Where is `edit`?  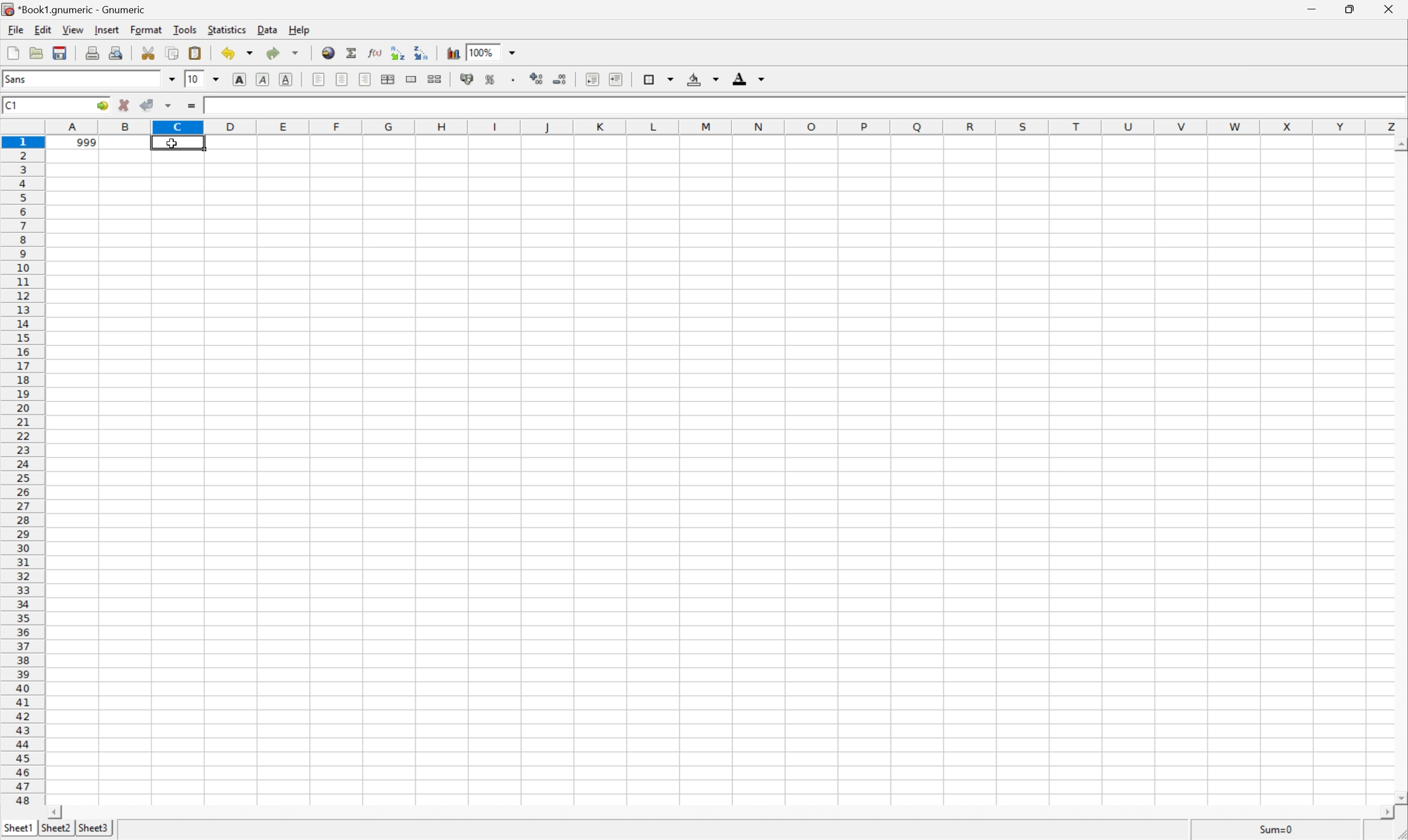
edit is located at coordinates (44, 30).